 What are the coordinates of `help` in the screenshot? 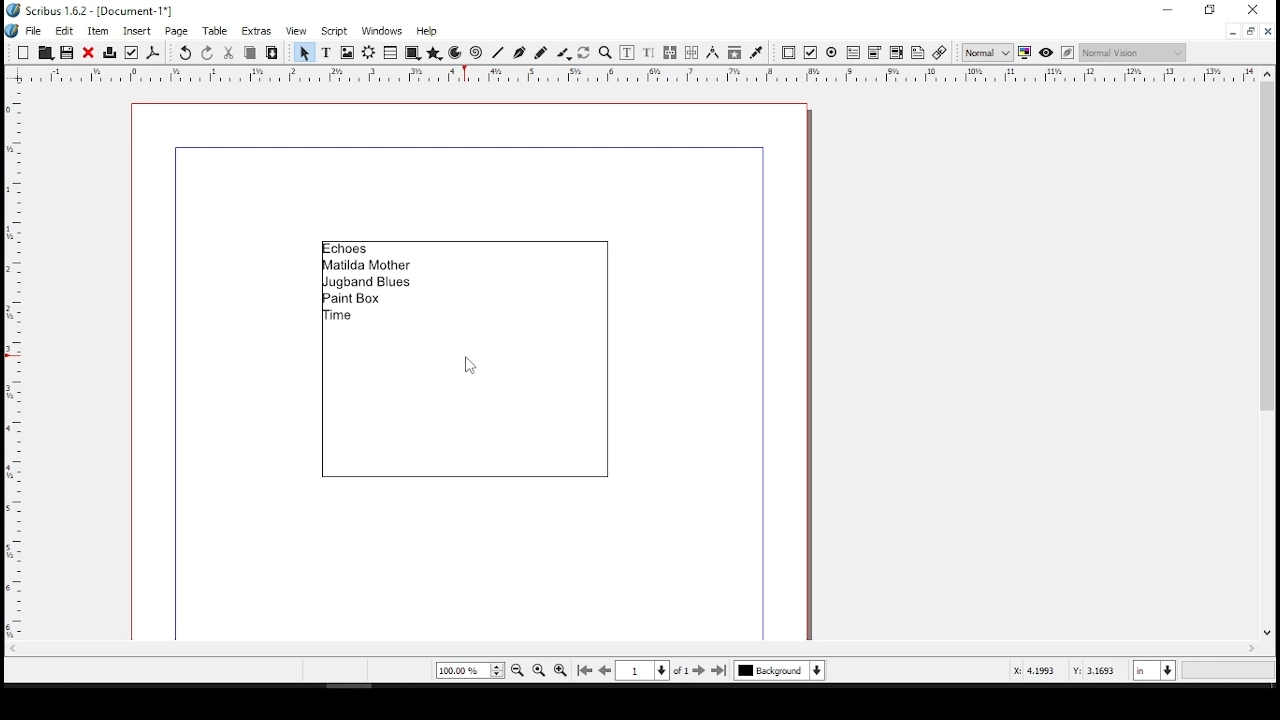 It's located at (426, 31).